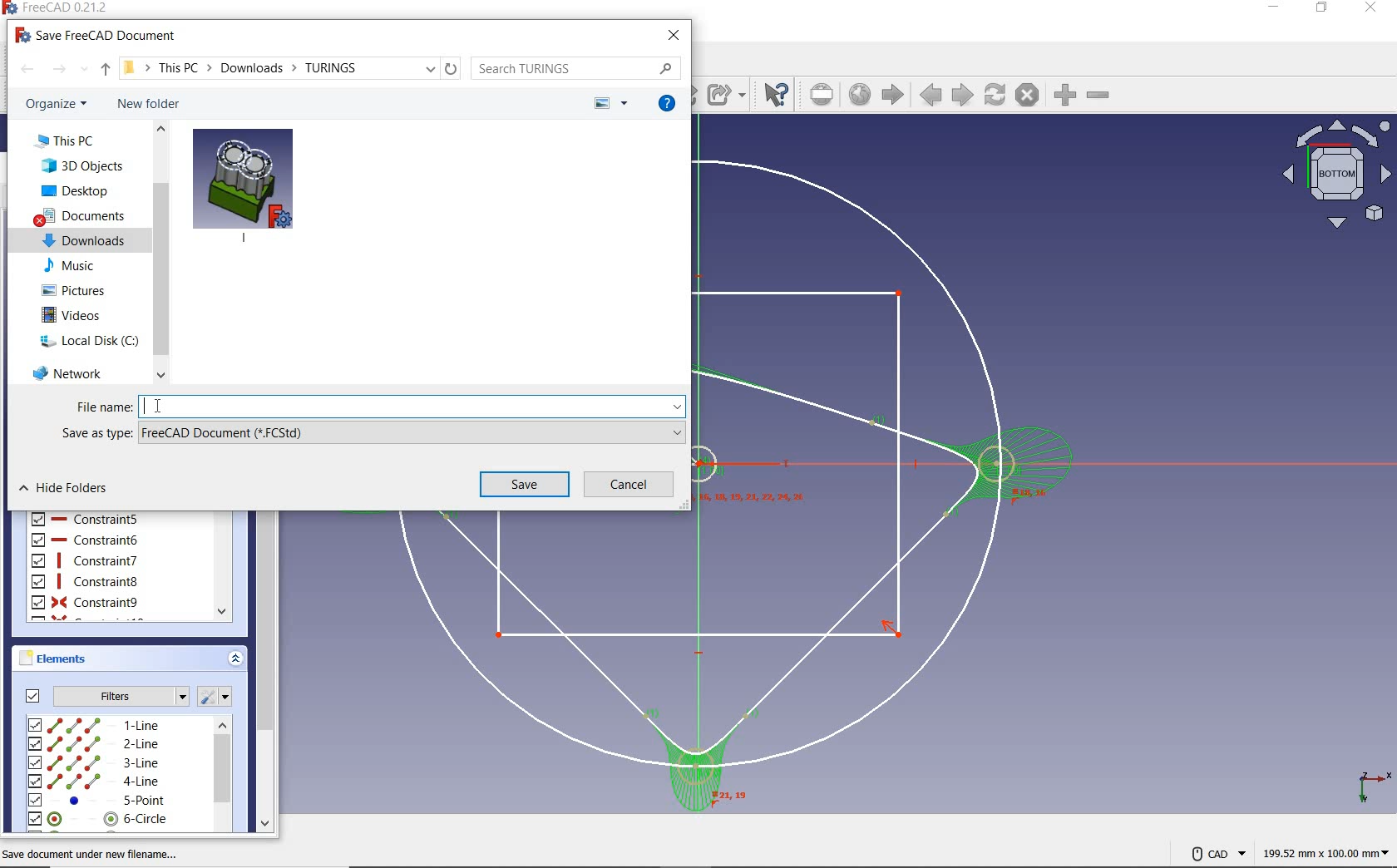  I want to click on close, so click(1371, 8).